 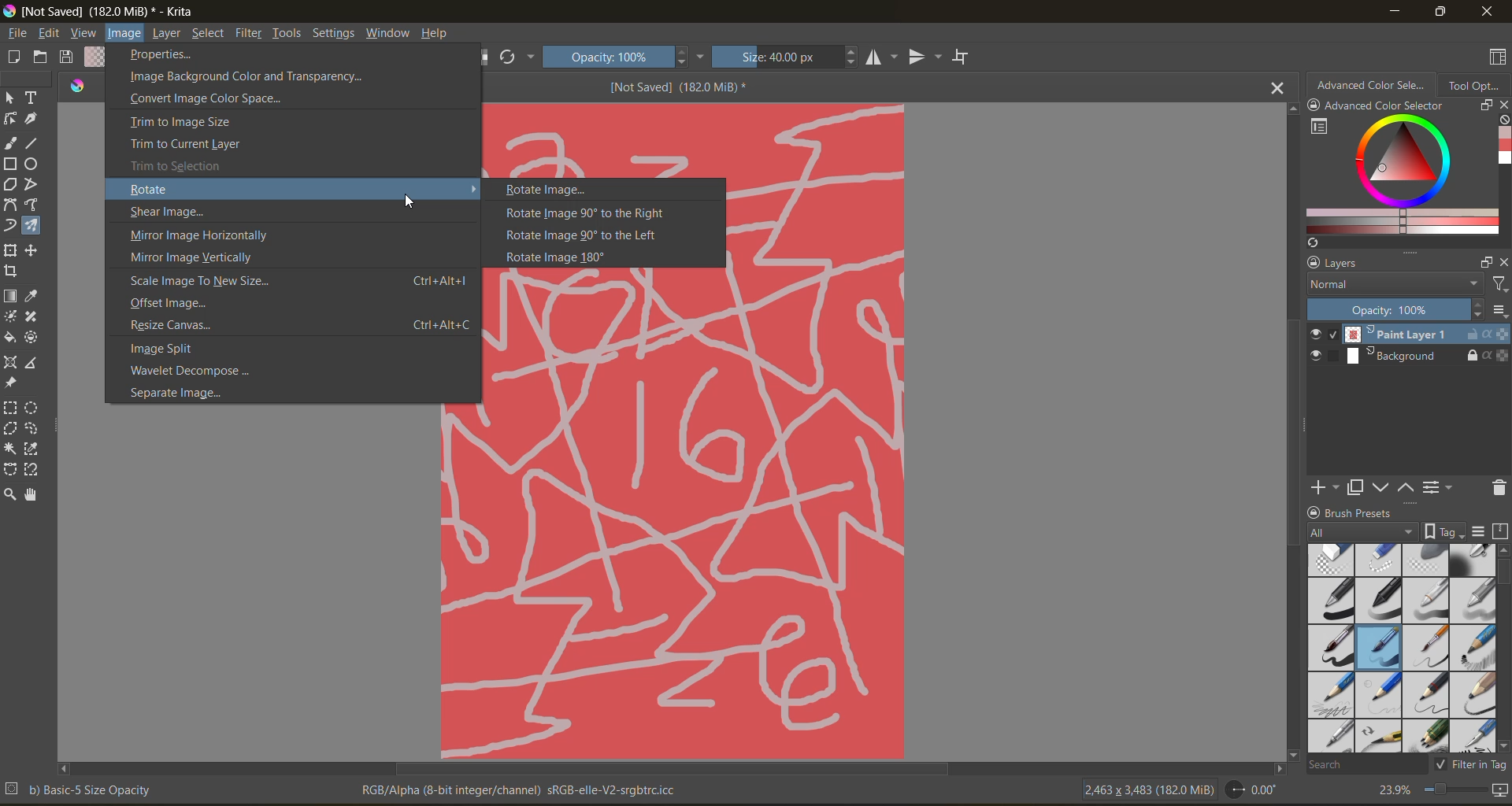 I want to click on tool options, so click(x=1477, y=86).